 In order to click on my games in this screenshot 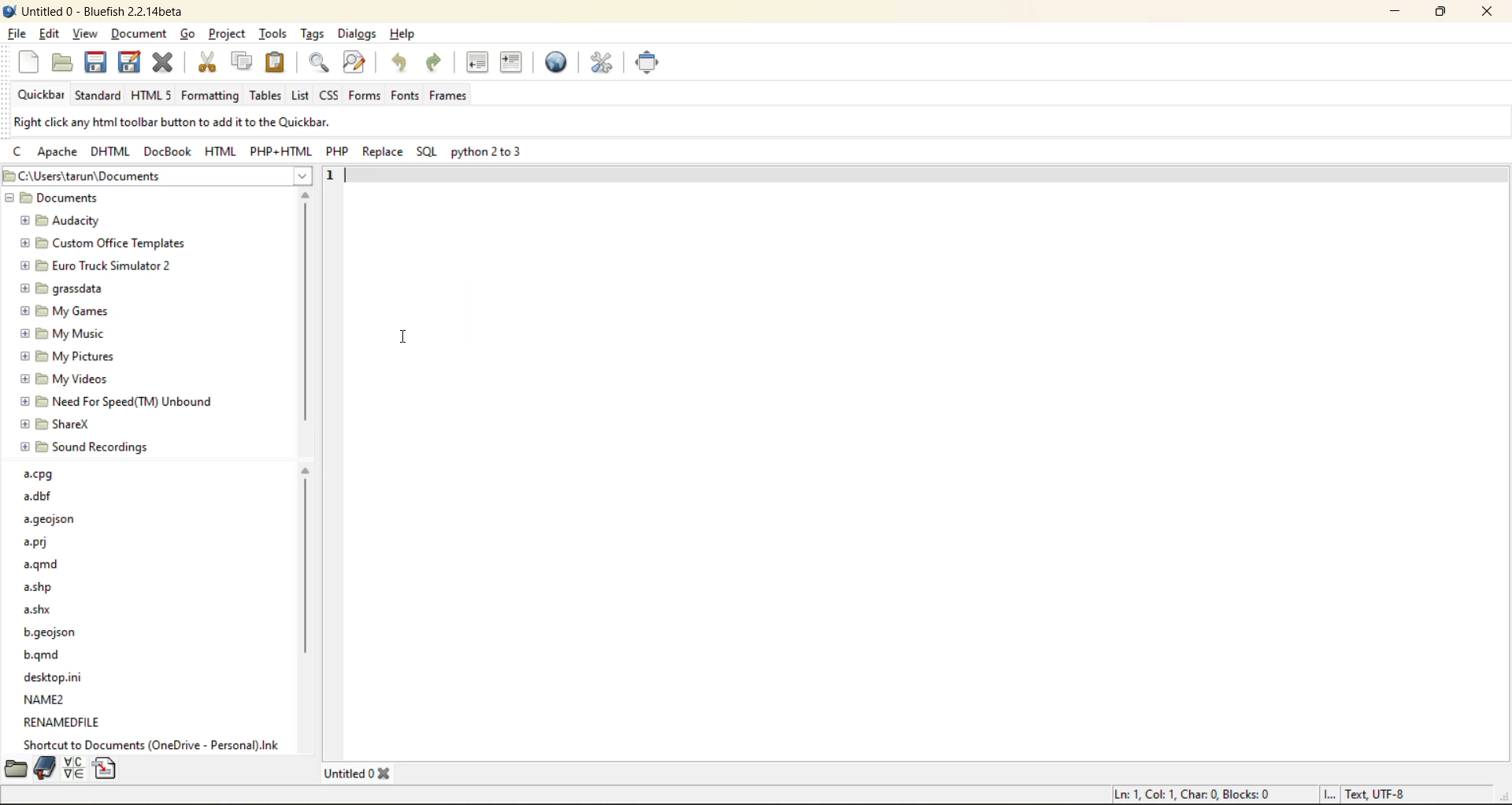, I will do `click(65, 311)`.